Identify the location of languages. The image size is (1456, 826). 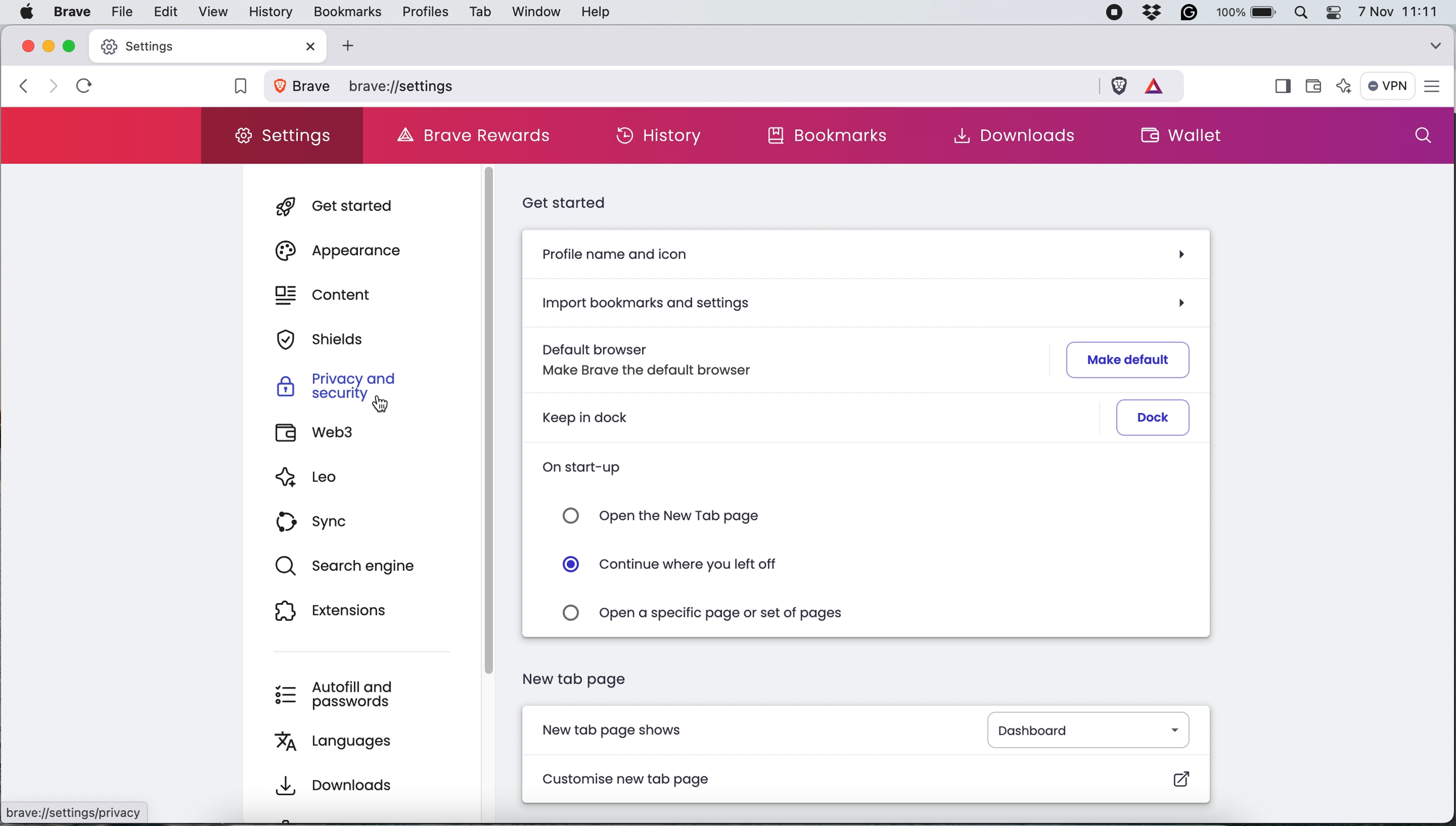
(342, 739).